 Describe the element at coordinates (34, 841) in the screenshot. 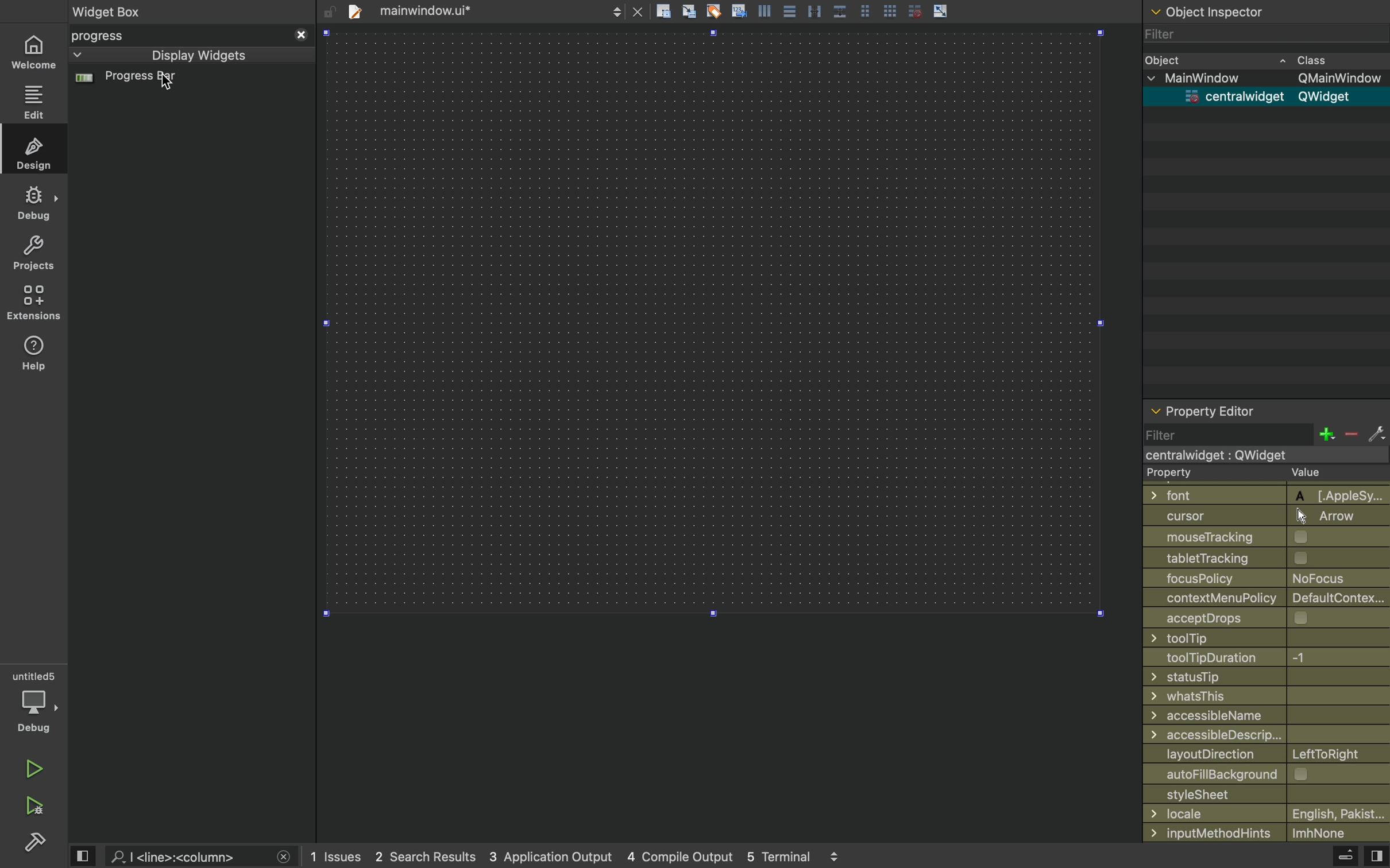

I see `Settings ` at that location.